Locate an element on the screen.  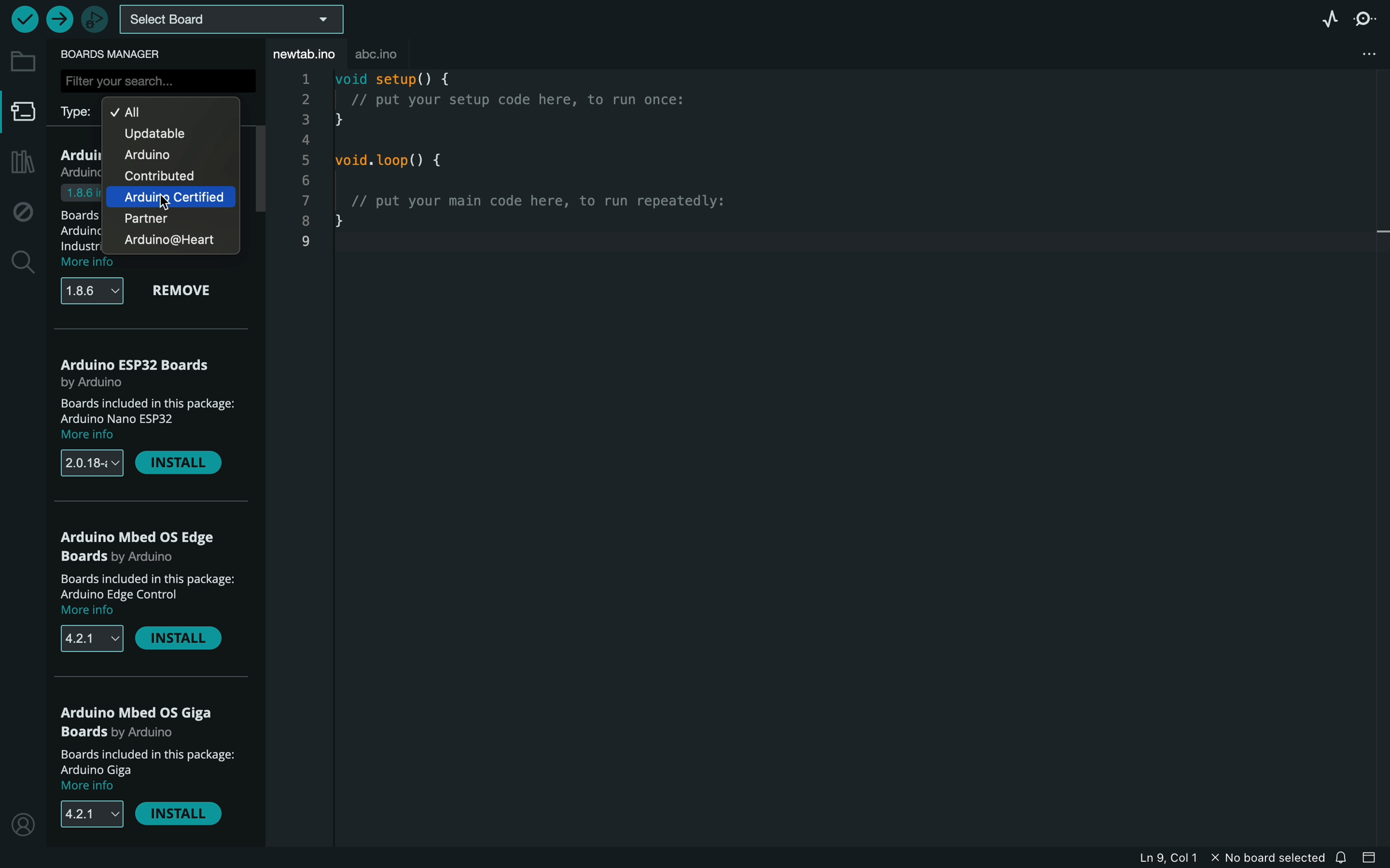
board selecter is located at coordinates (230, 21).